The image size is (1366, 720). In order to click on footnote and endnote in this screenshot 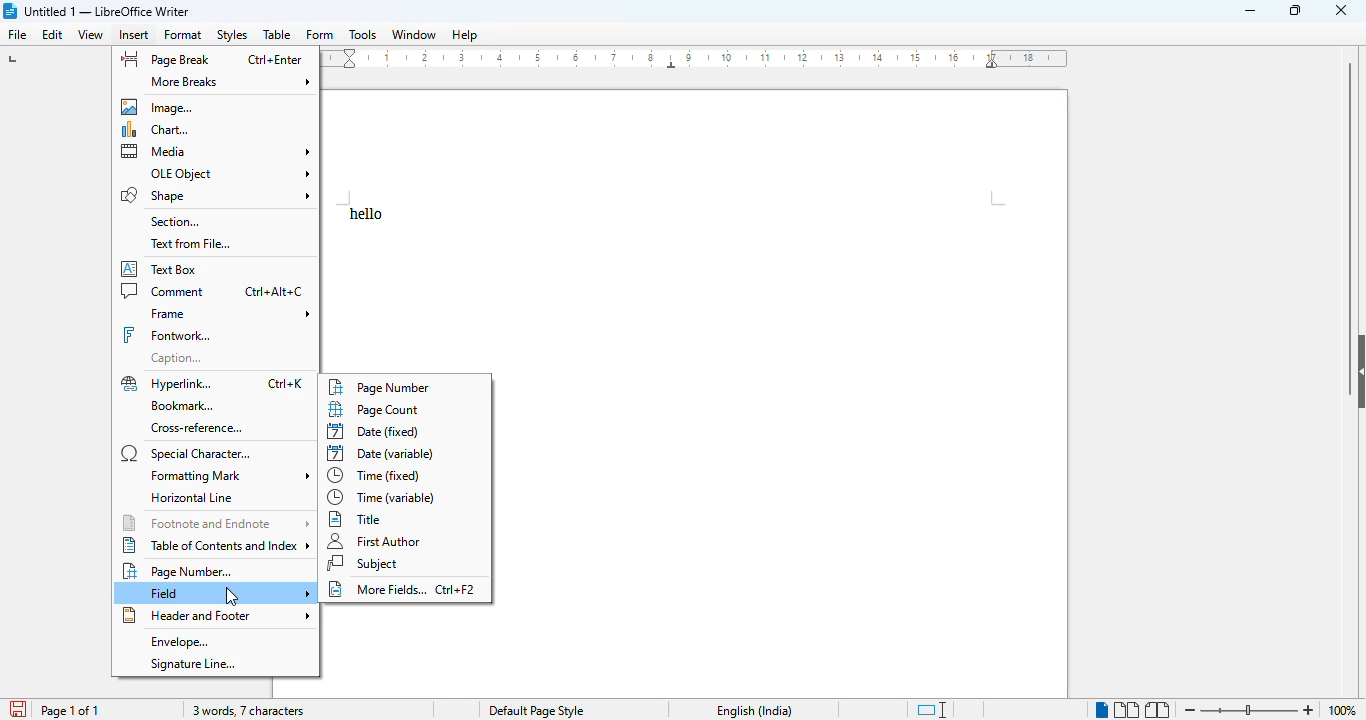, I will do `click(218, 522)`.